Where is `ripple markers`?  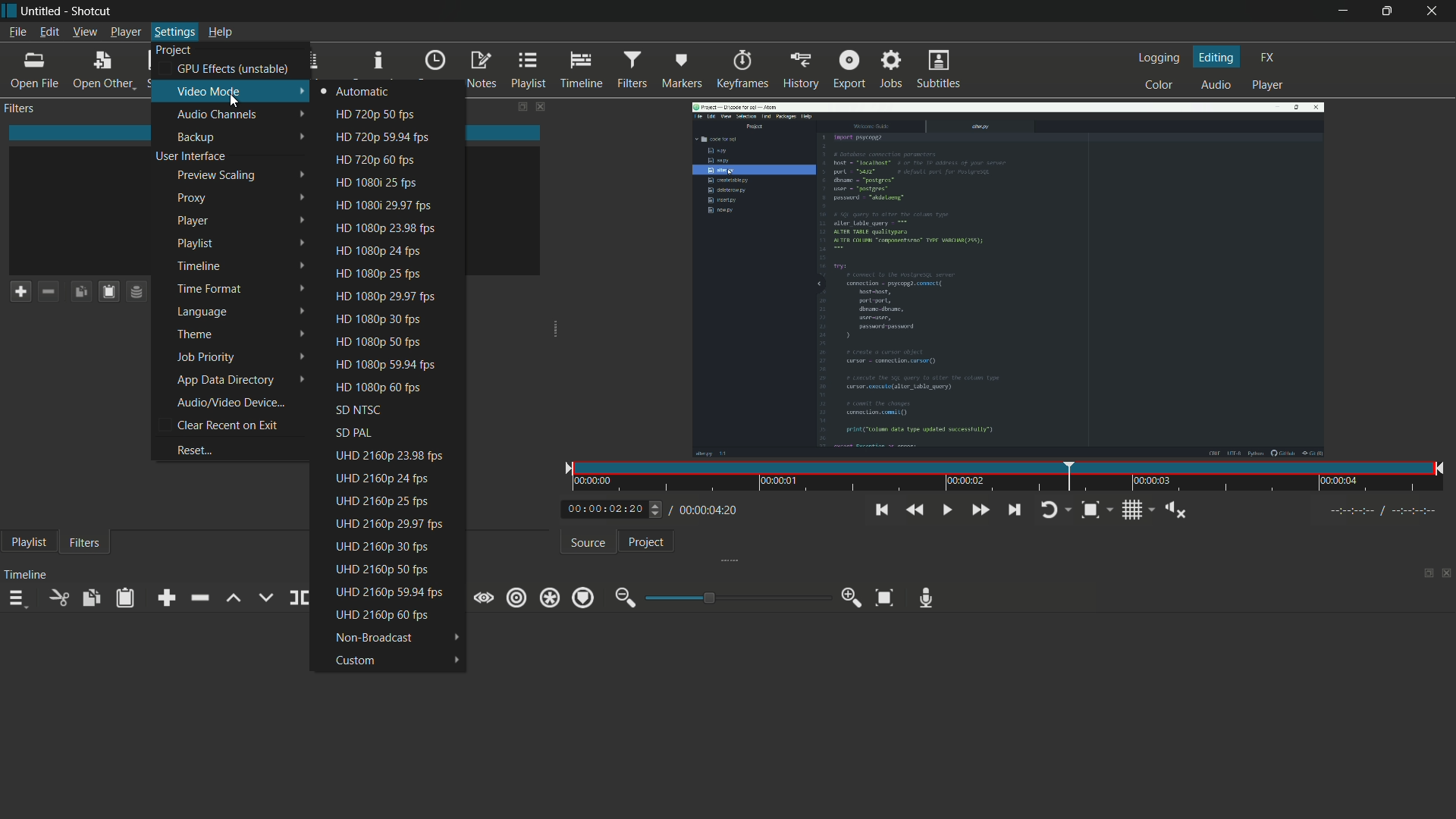 ripple markers is located at coordinates (582, 598).